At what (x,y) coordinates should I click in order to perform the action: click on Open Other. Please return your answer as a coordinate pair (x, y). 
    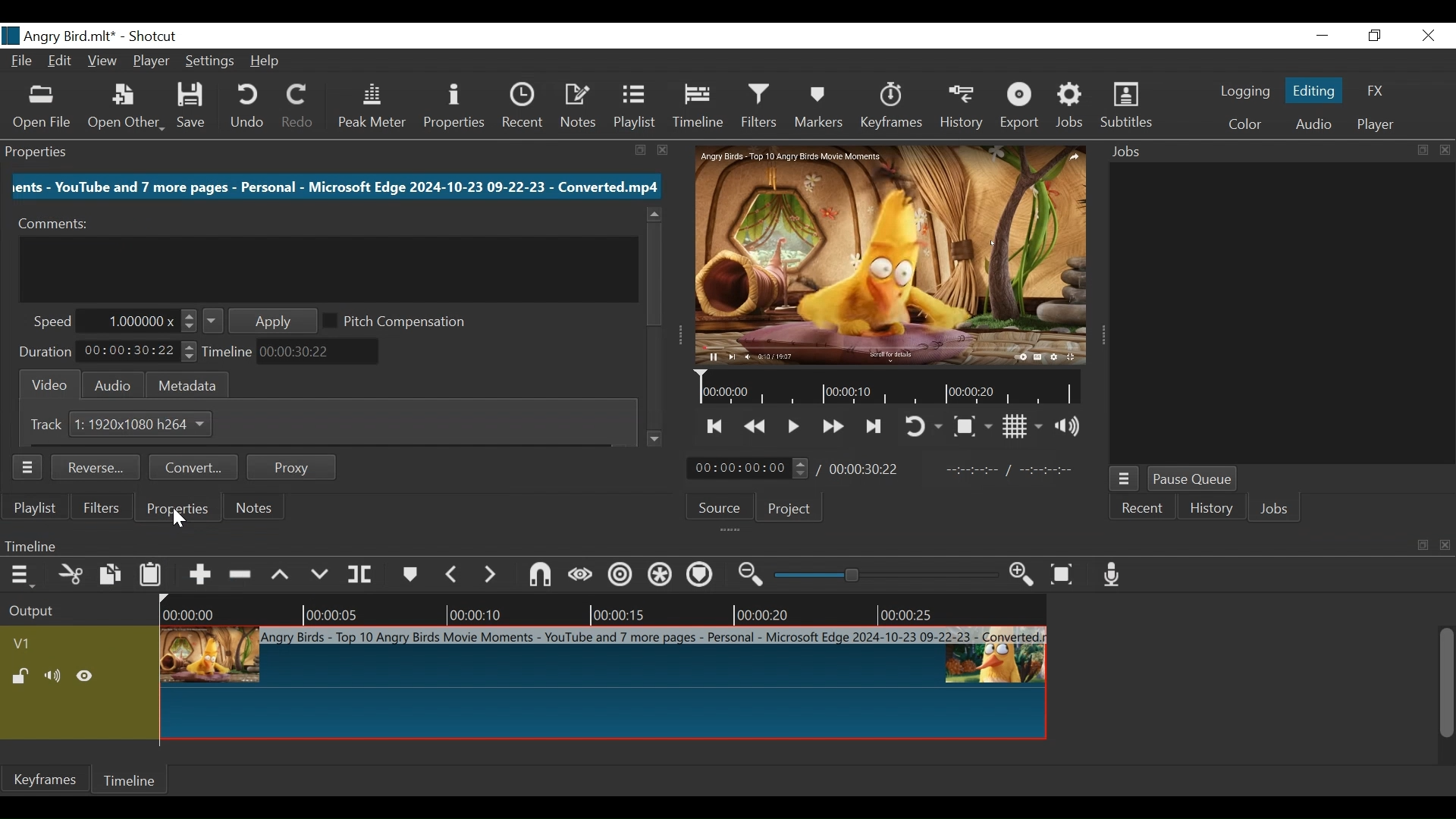
    Looking at the image, I should click on (125, 109).